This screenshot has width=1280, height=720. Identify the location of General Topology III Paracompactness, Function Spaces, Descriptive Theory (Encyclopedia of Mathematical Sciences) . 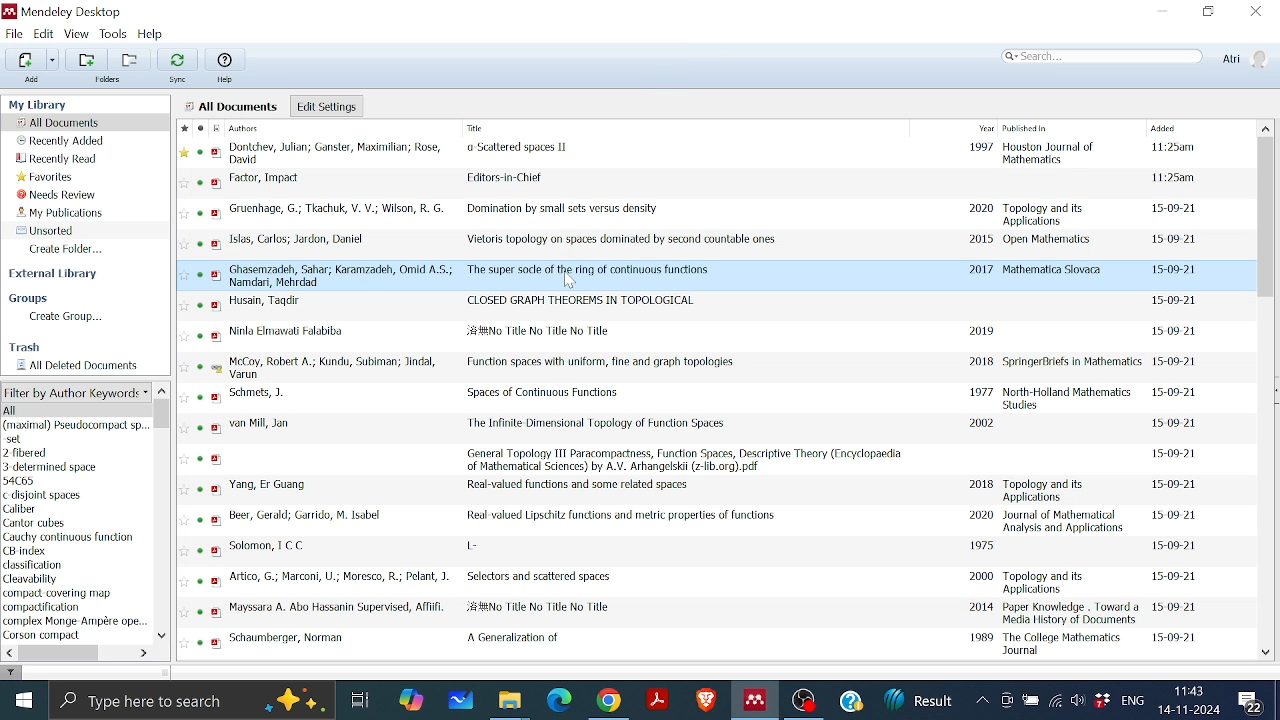
(707, 459).